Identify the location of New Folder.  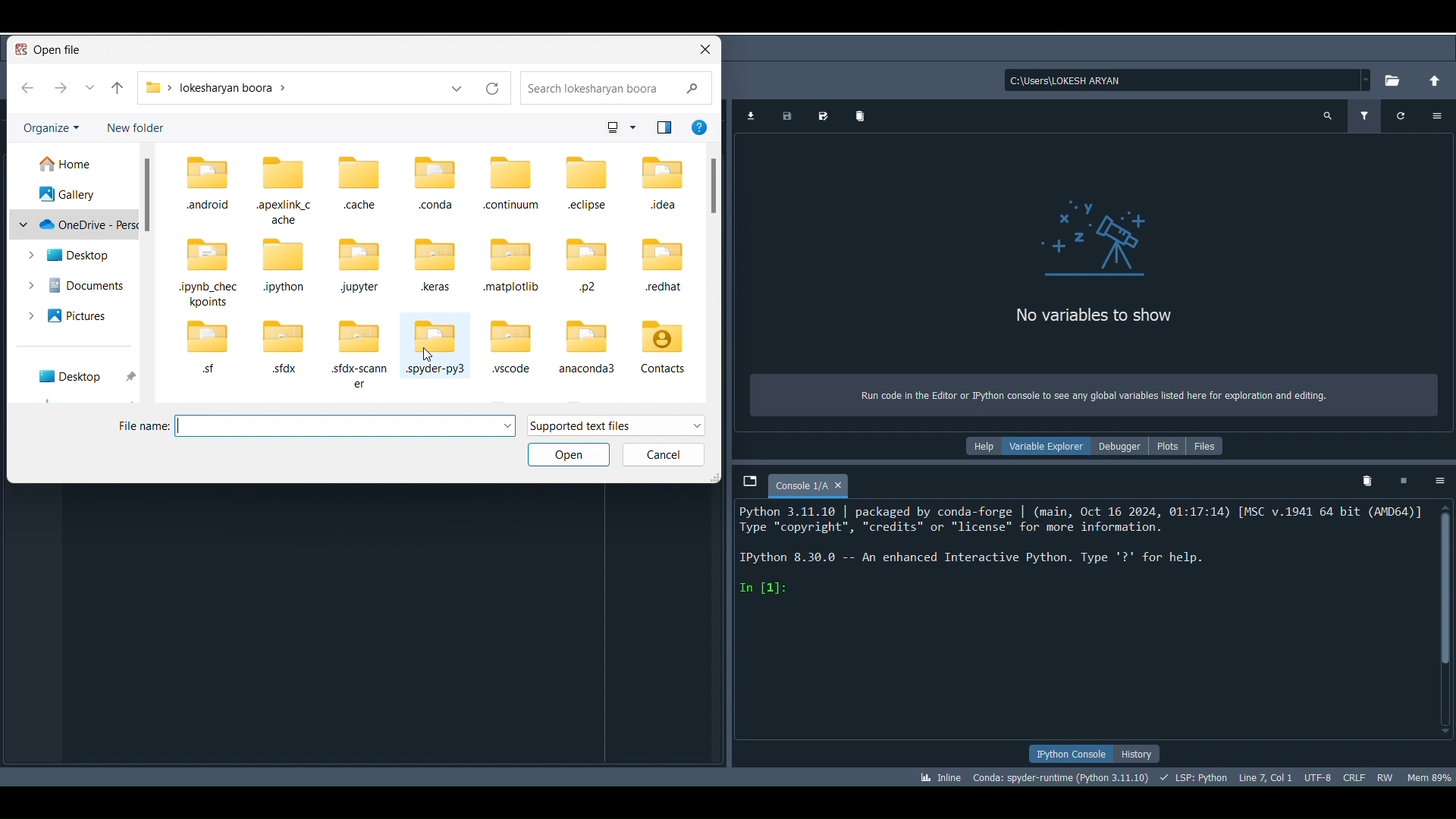
(303, 129).